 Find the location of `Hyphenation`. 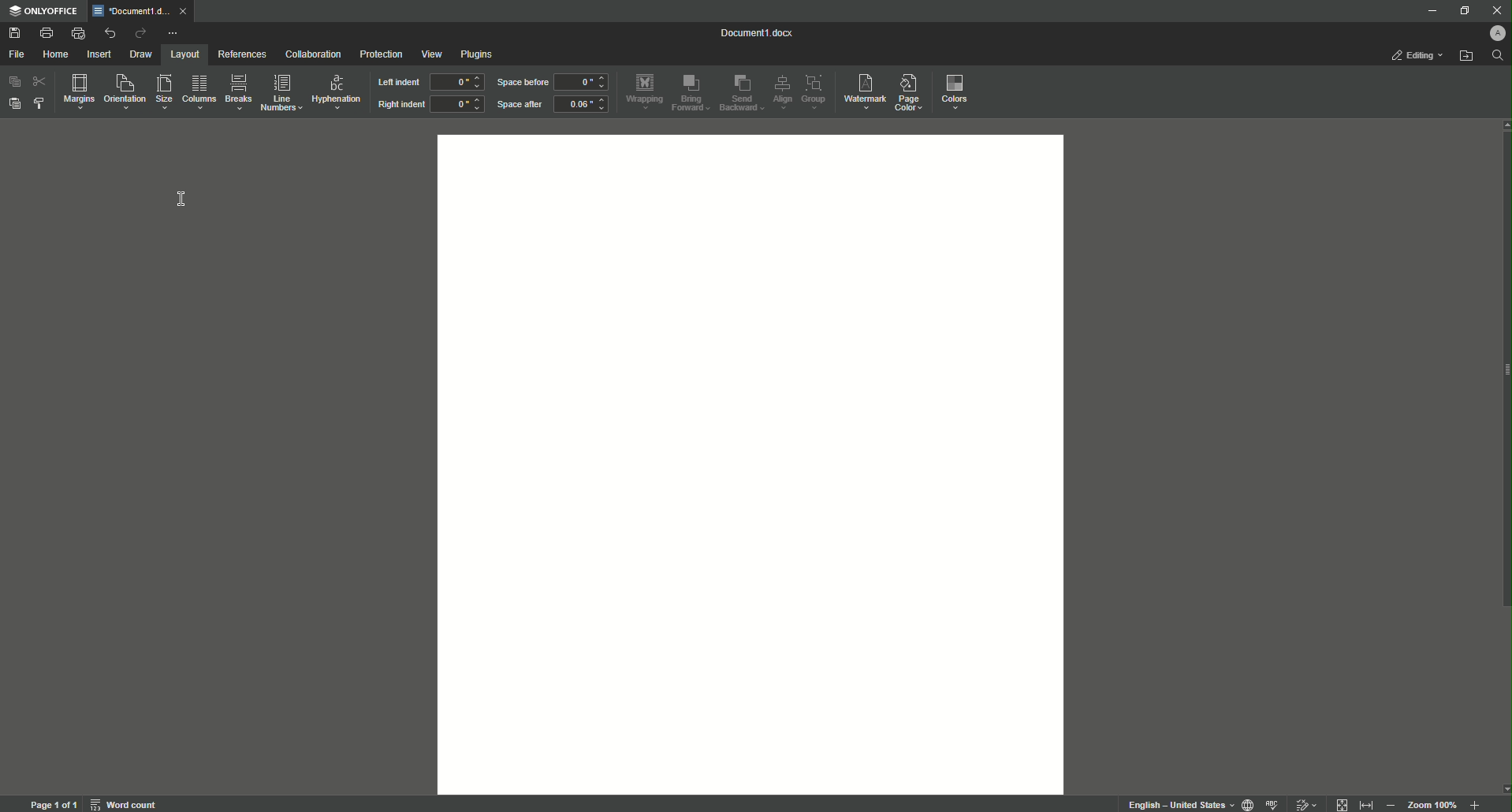

Hyphenation is located at coordinates (337, 91).